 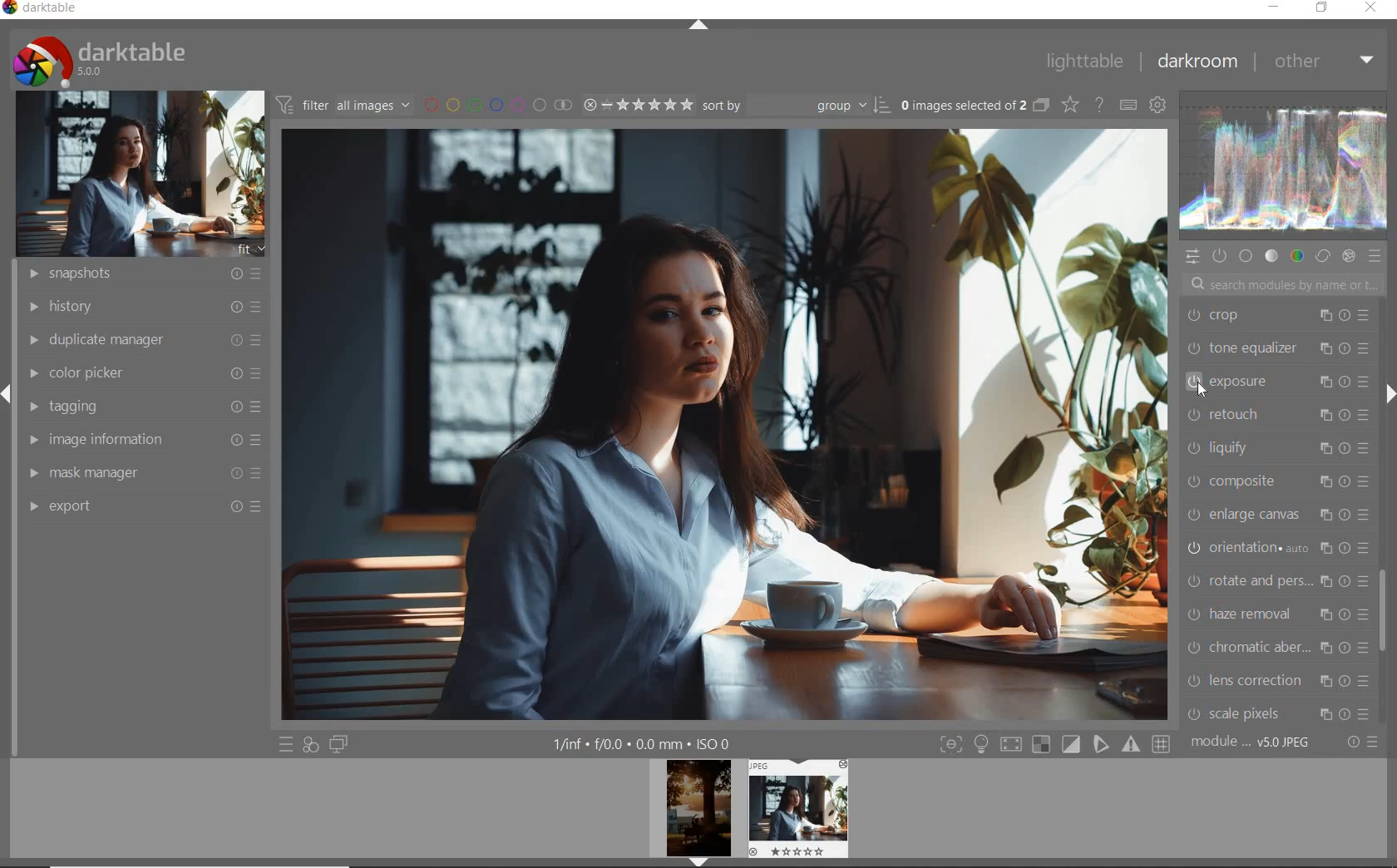 What do you see at coordinates (1276, 347) in the screenshot?
I see `TONE EQUALIZER` at bounding box center [1276, 347].